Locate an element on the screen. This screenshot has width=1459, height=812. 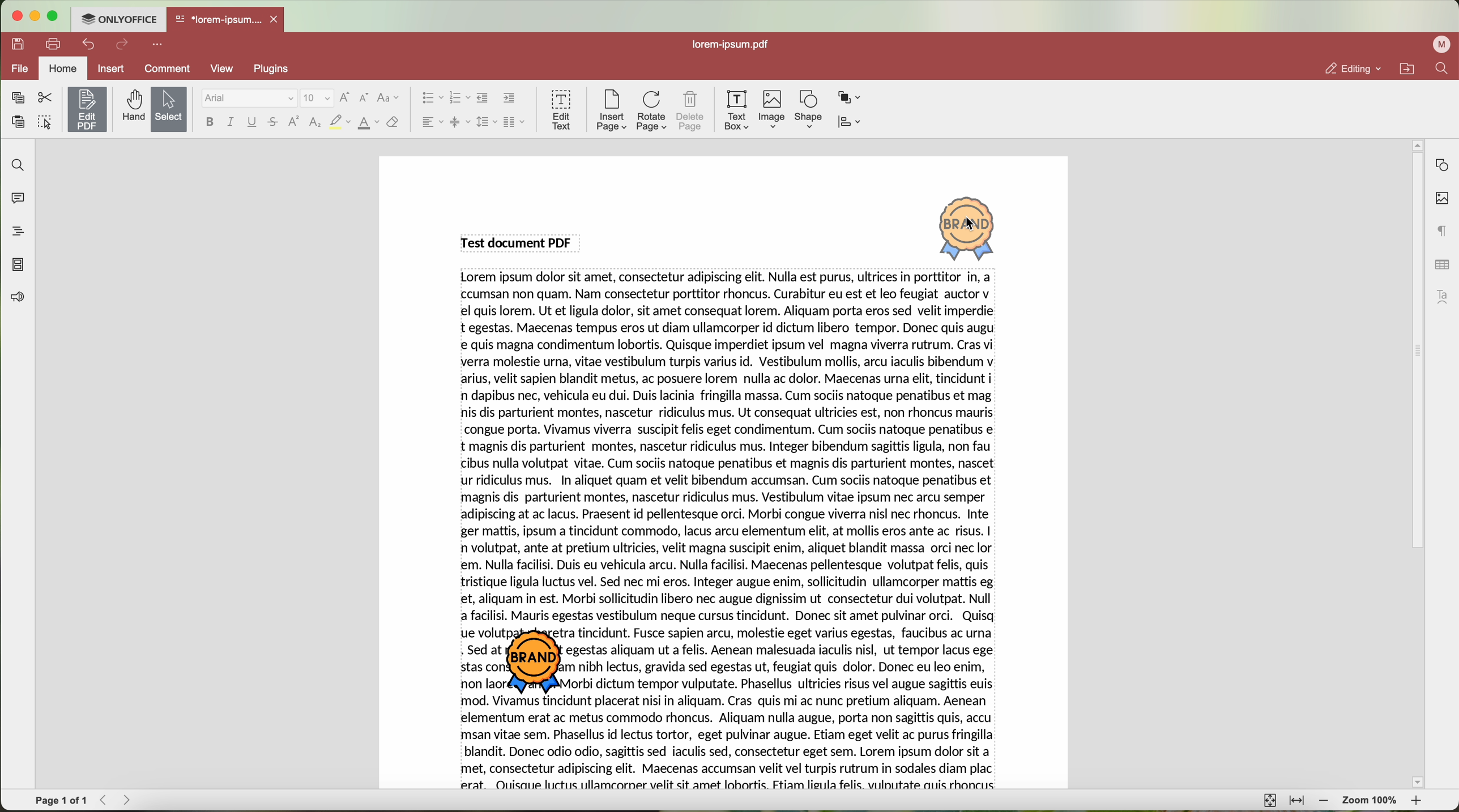
bullet list is located at coordinates (429, 99).